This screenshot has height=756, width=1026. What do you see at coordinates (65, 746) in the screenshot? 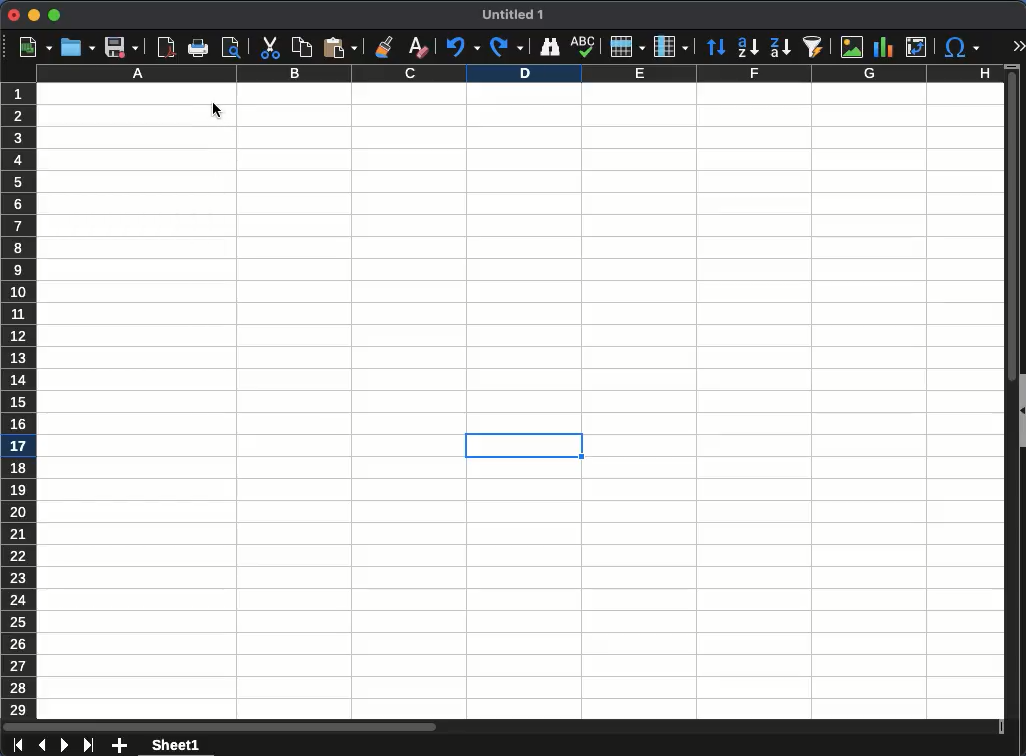
I see `next sheet` at bounding box center [65, 746].